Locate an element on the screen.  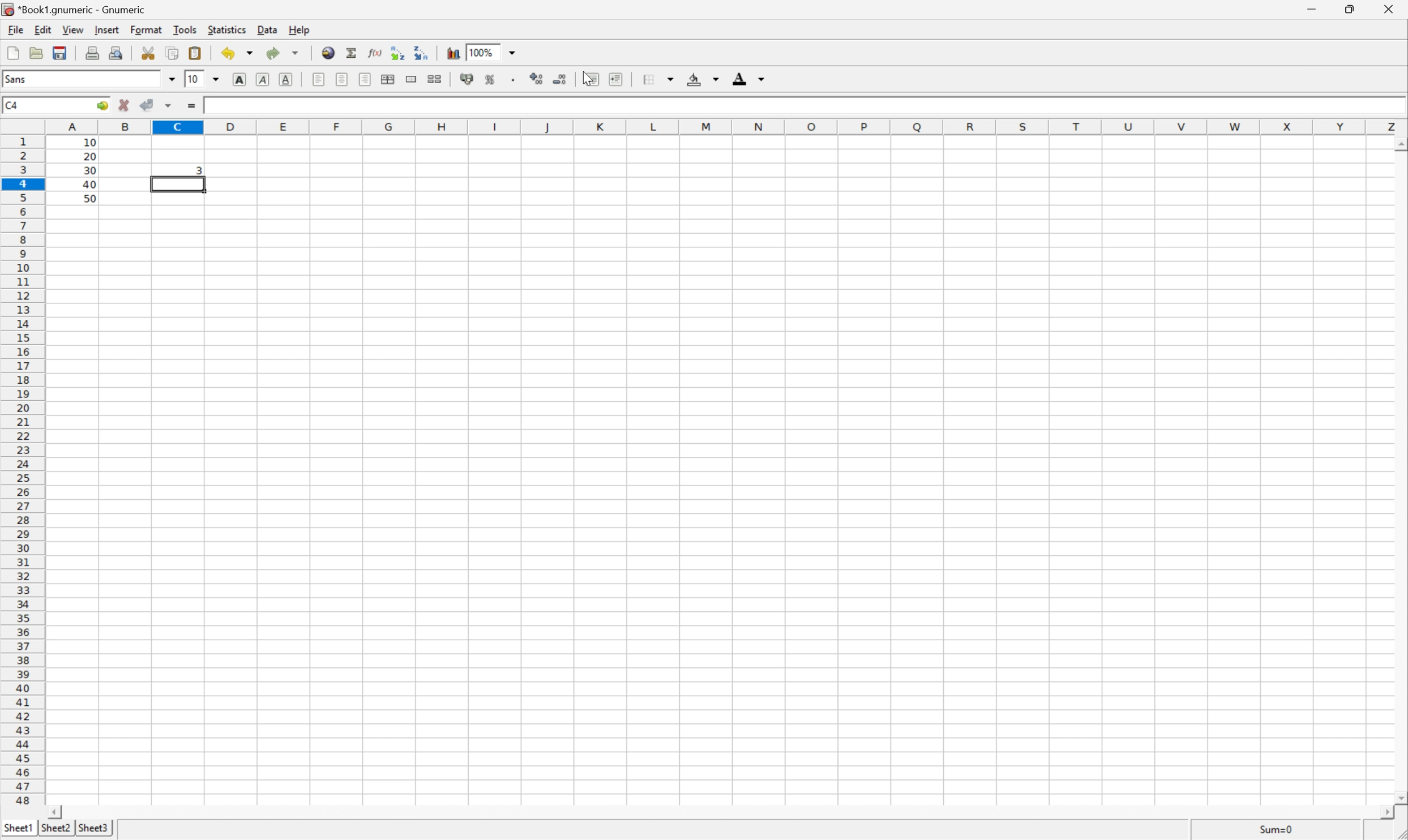
Copy the selection is located at coordinates (171, 54).